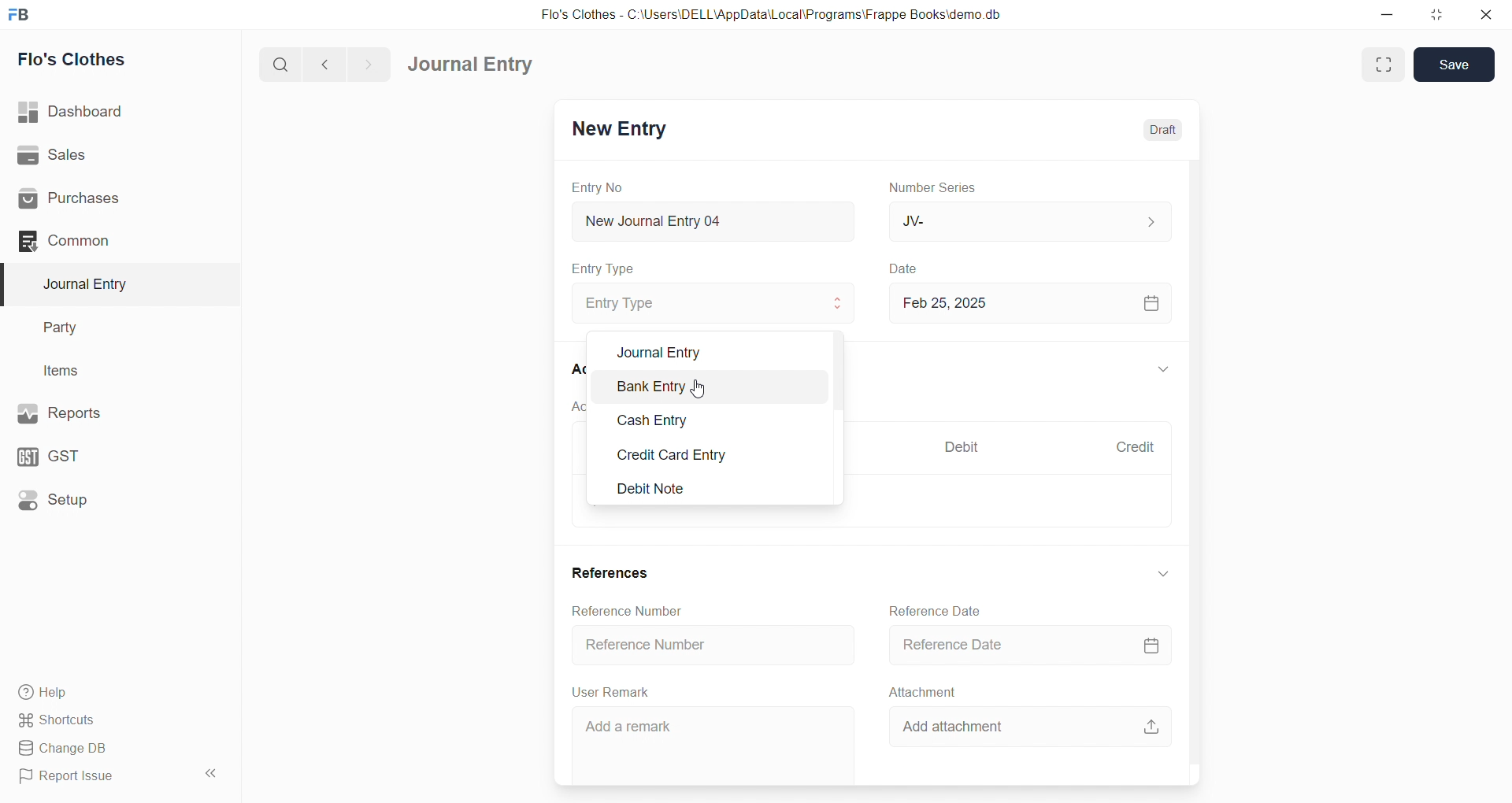 This screenshot has height=803, width=1512. I want to click on navigate backward, so click(332, 62).